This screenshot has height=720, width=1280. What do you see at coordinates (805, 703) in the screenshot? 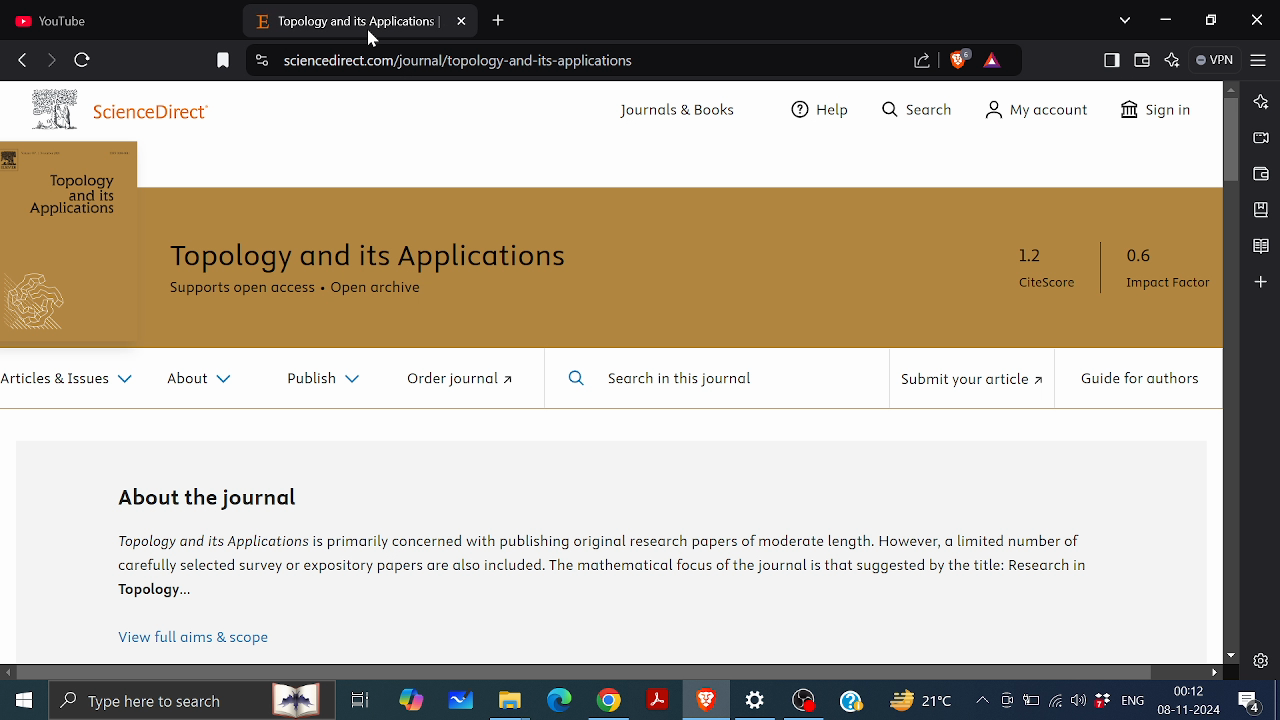
I see `OBS recorder` at bounding box center [805, 703].